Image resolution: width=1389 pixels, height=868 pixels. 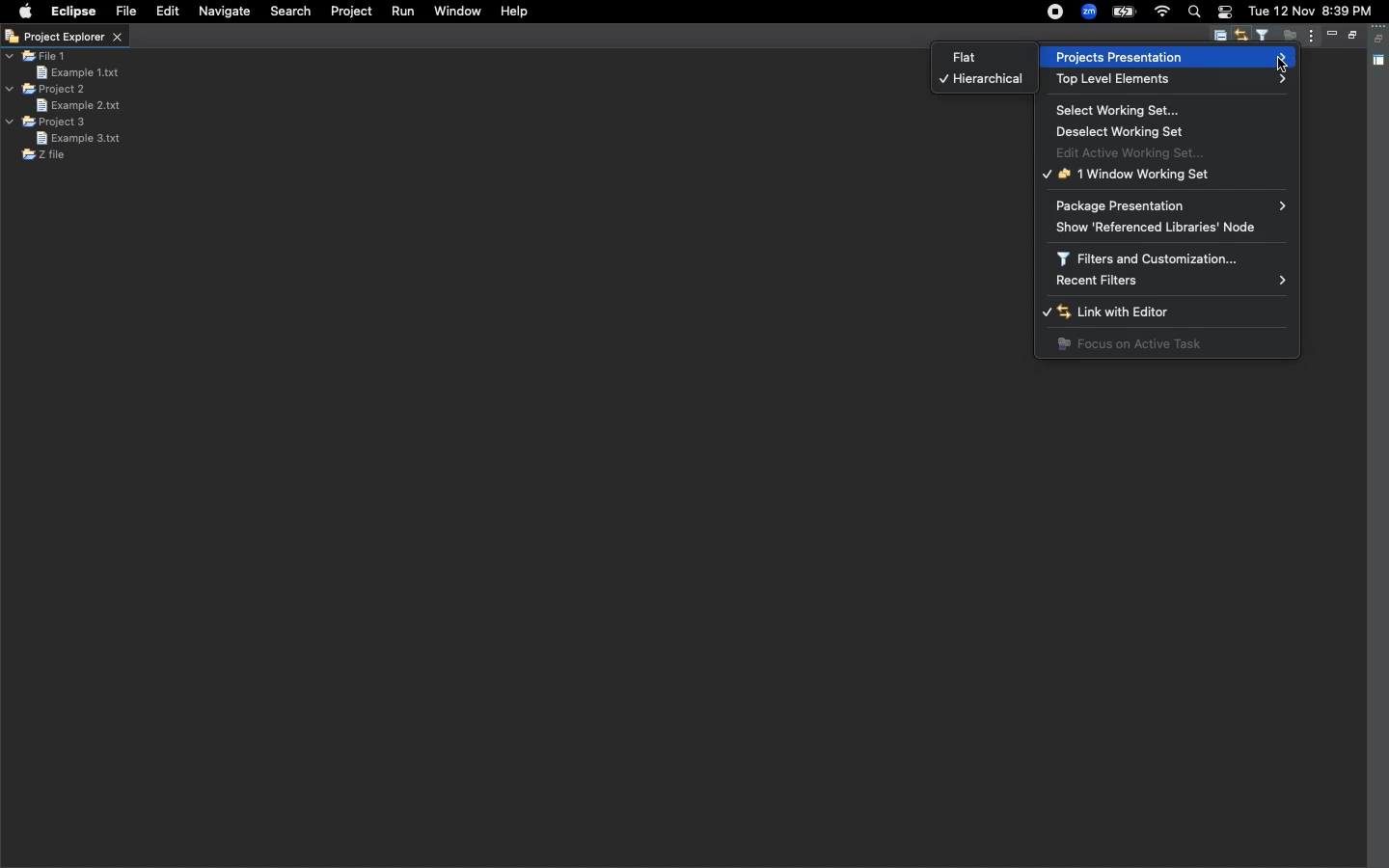 What do you see at coordinates (402, 12) in the screenshot?
I see `Run` at bounding box center [402, 12].